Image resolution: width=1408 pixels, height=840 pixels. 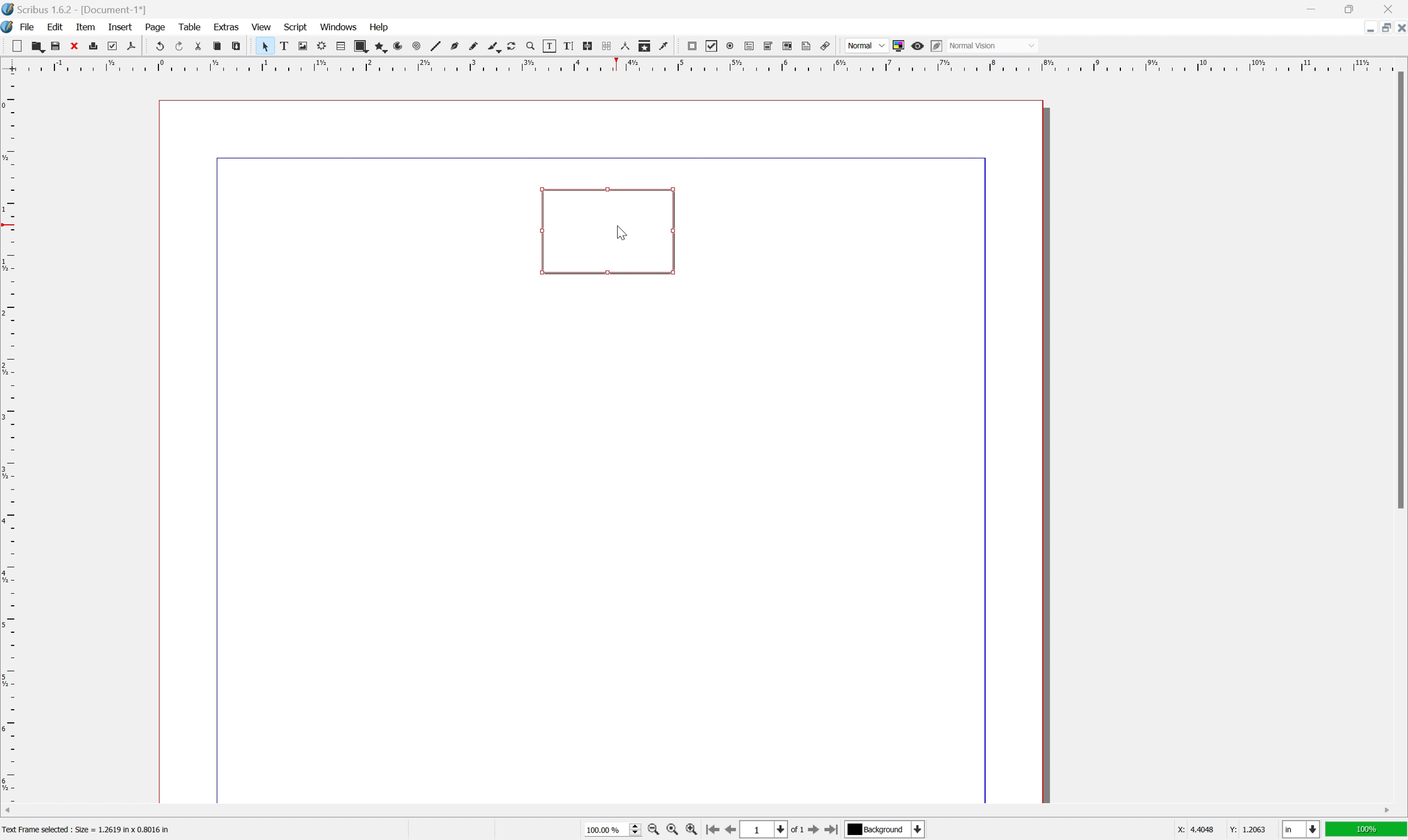 I want to click on file, so click(x=31, y=27).